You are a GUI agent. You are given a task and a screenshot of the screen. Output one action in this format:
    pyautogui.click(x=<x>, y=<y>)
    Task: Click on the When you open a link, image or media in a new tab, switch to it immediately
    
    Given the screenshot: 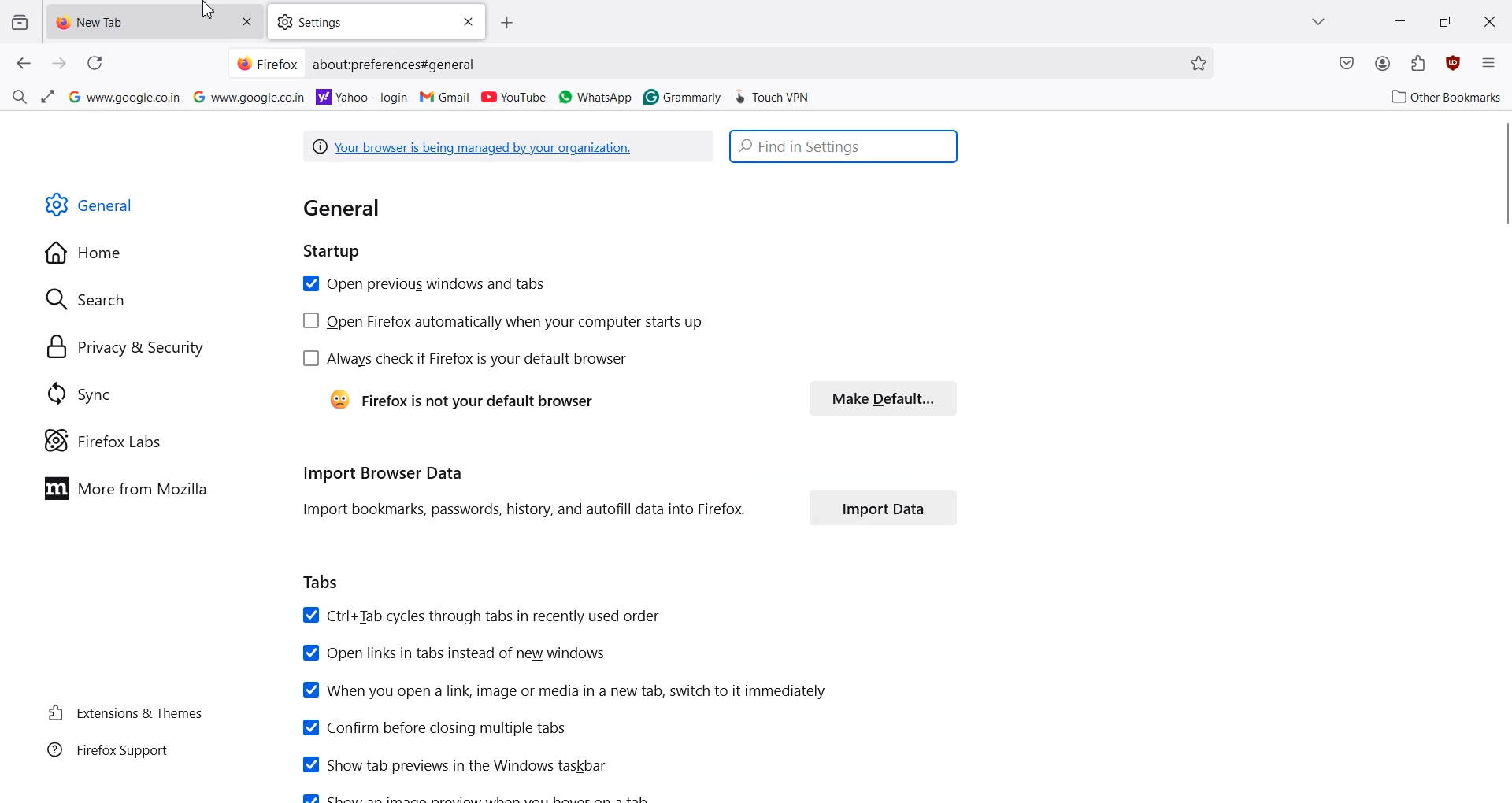 What is the action you would take?
    pyautogui.click(x=565, y=690)
    